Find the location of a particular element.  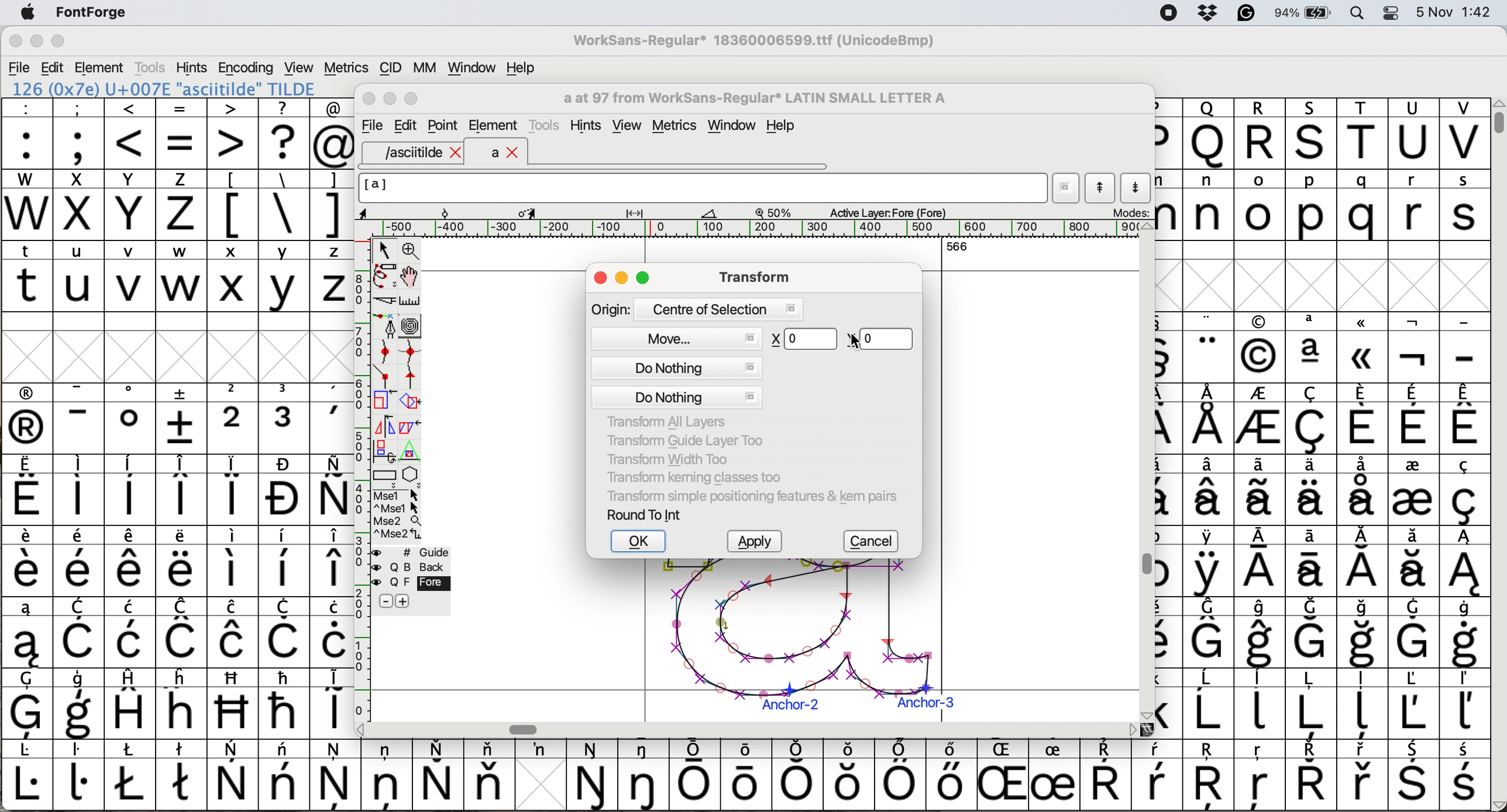

symbol is located at coordinates (130, 418).